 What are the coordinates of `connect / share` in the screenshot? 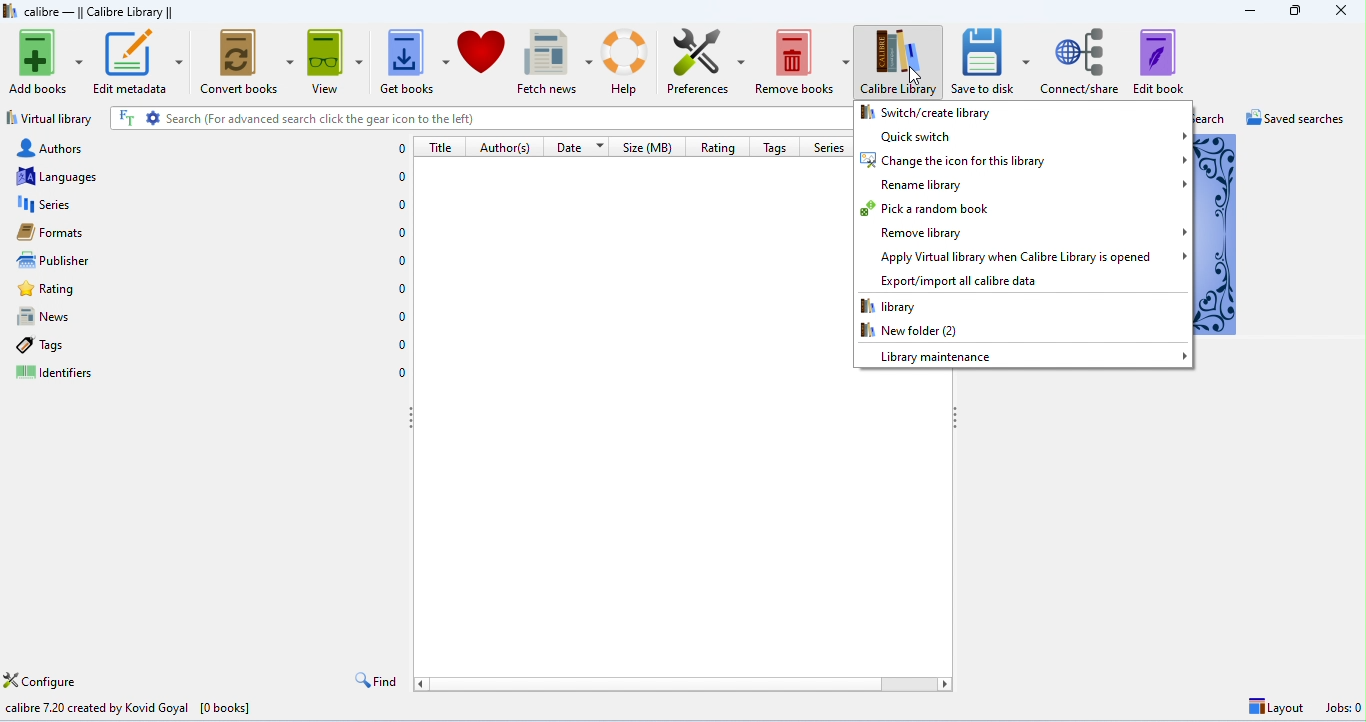 It's located at (1082, 59).